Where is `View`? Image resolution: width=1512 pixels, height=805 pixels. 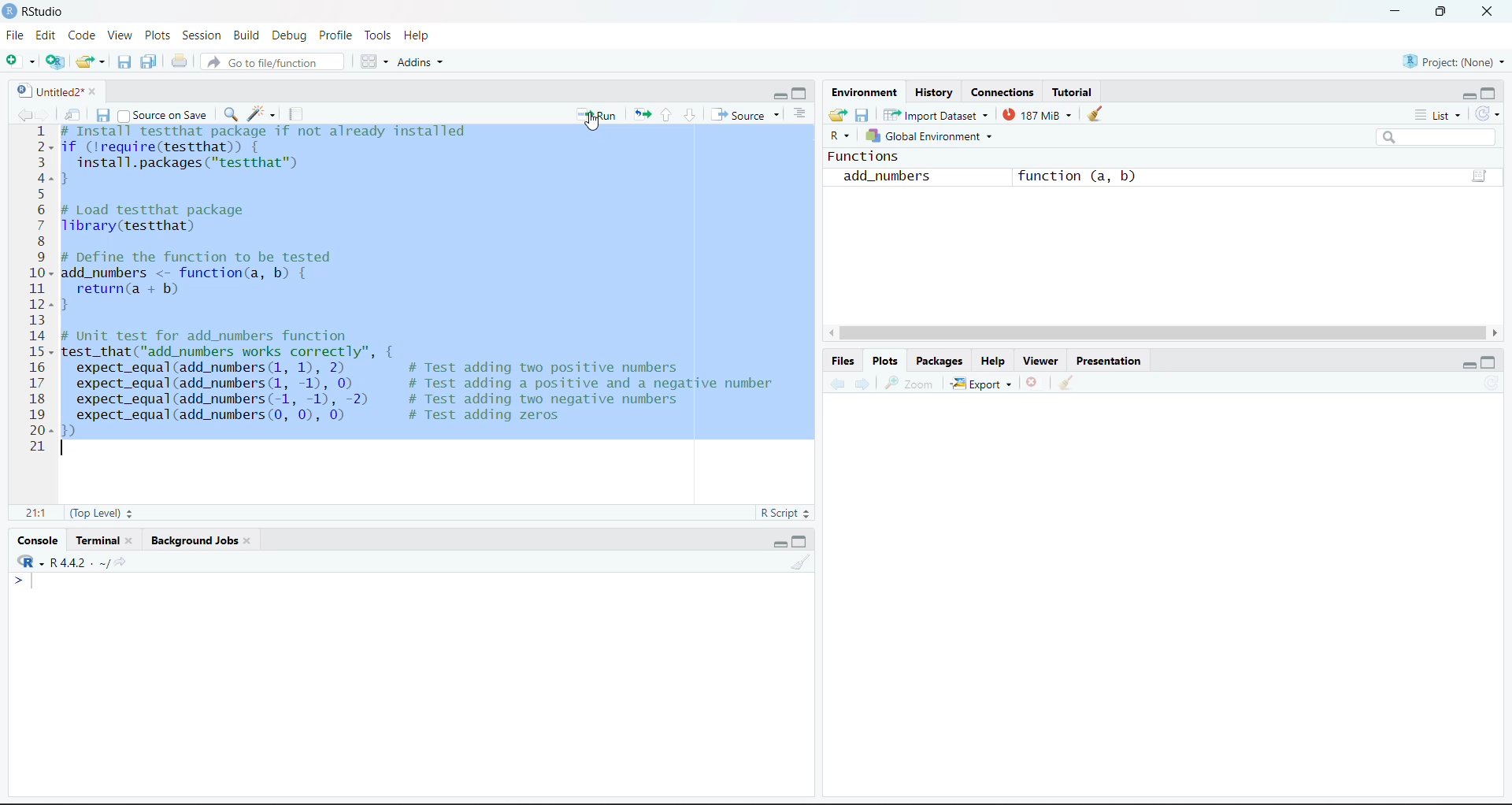 View is located at coordinates (123, 34).